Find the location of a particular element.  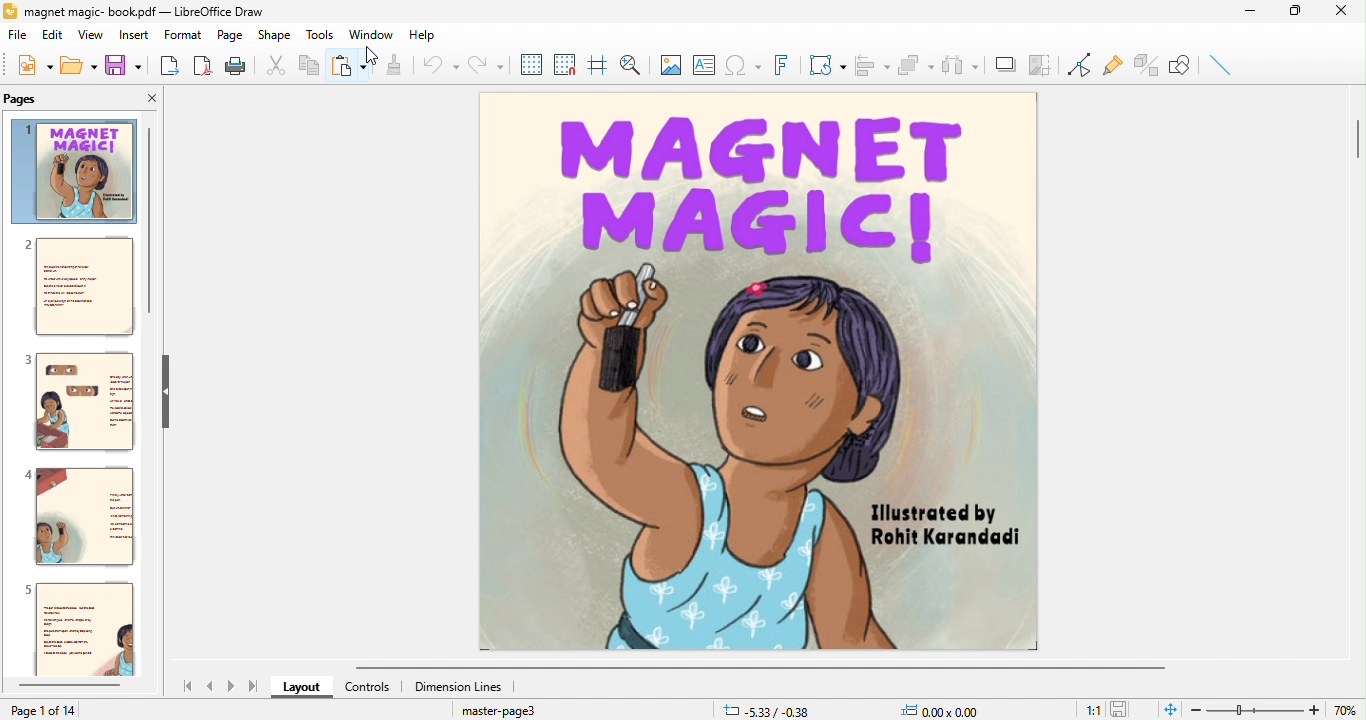

arrange is located at coordinates (918, 63).